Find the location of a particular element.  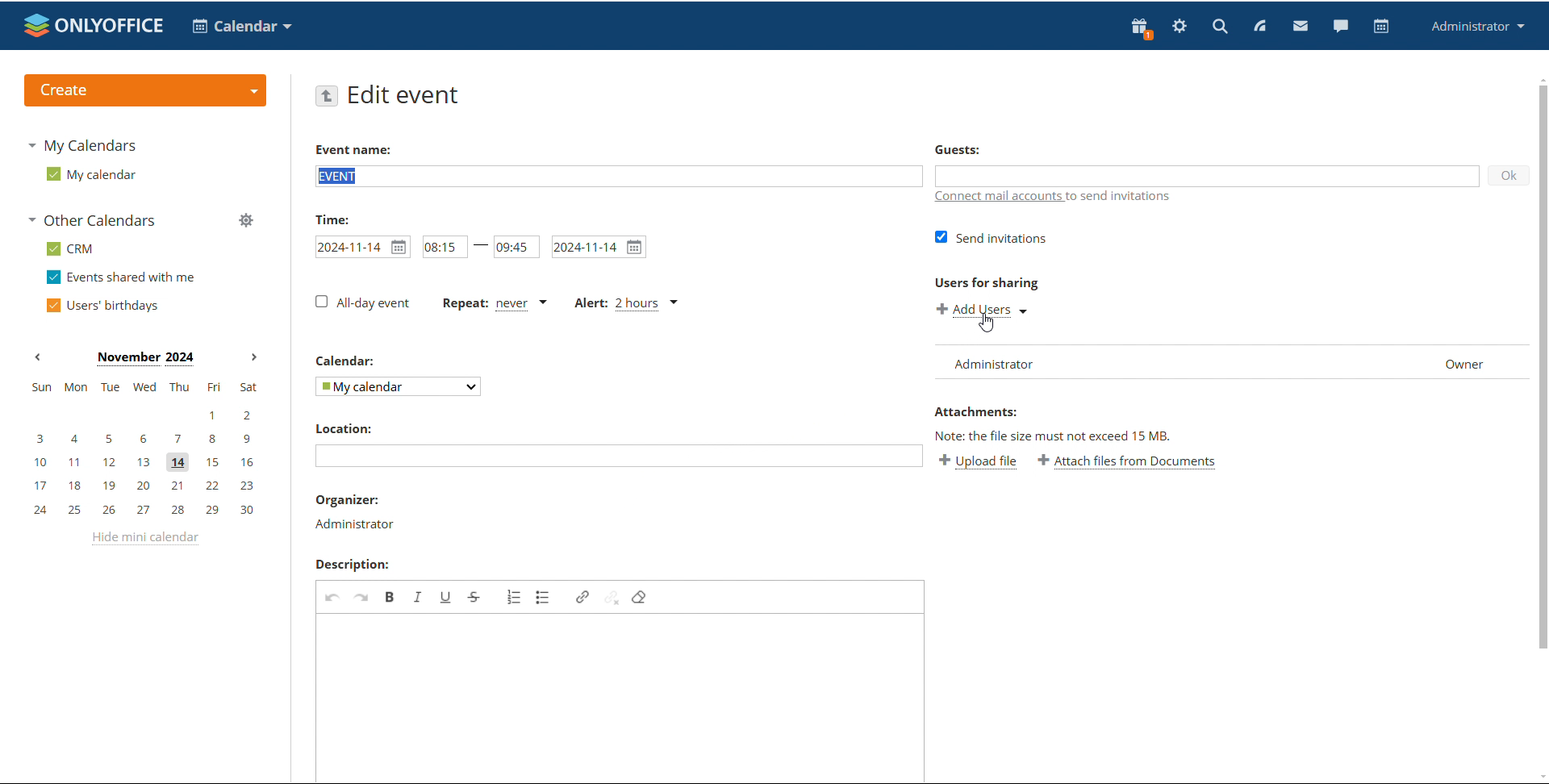

users' birthdays is located at coordinates (103, 306).